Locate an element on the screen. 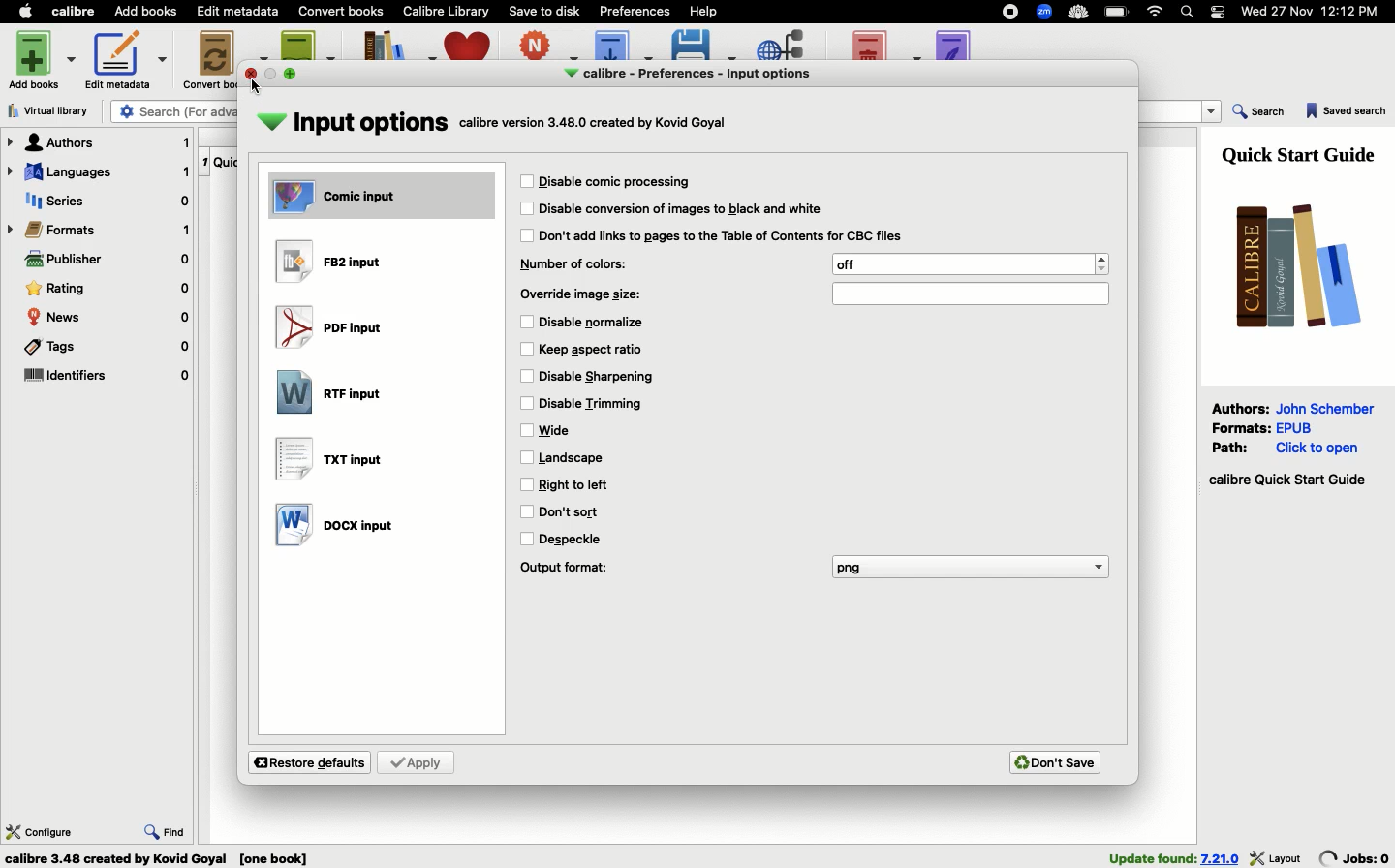  RTF is located at coordinates (334, 390).